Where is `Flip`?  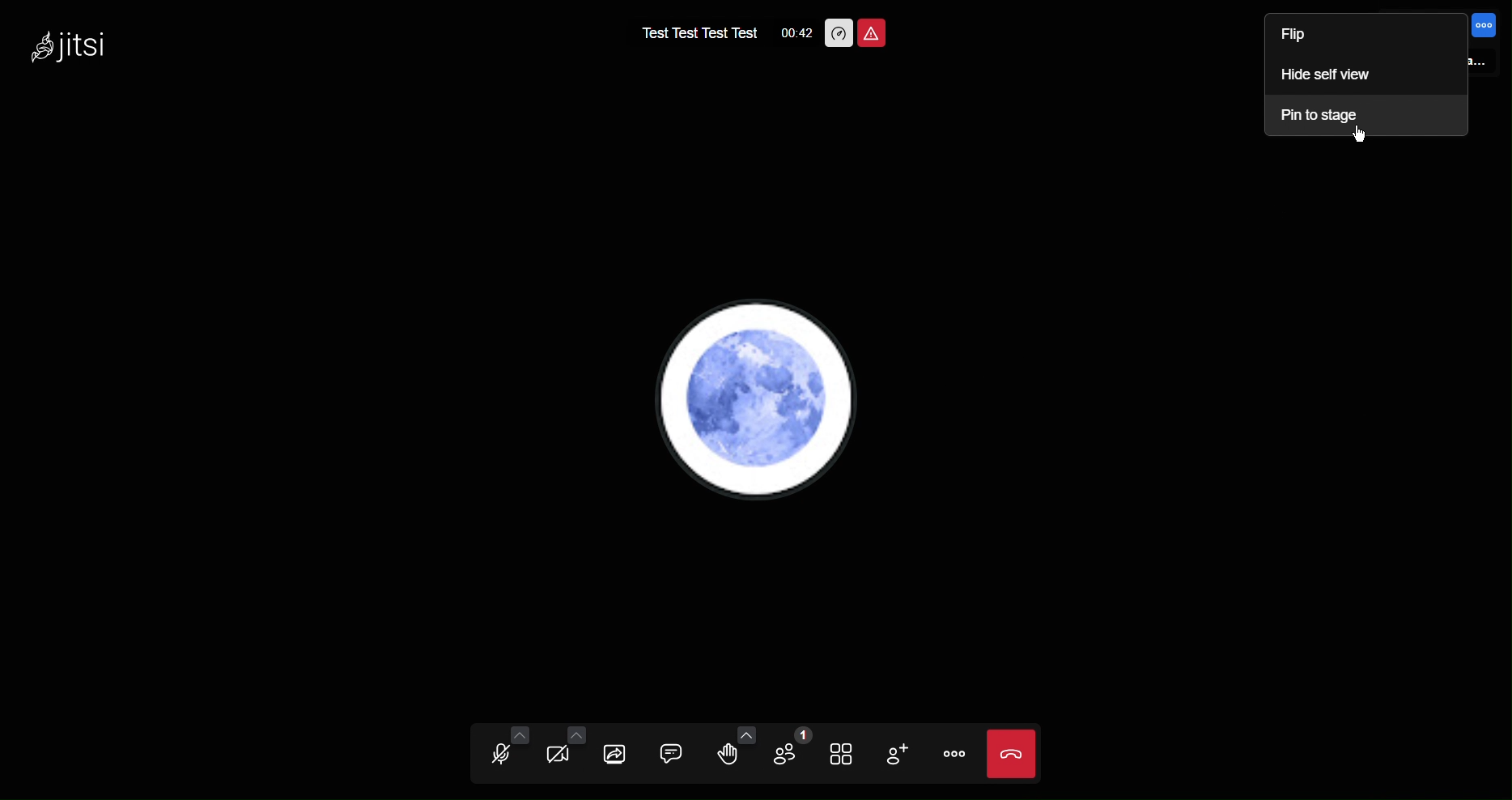 Flip is located at coordinates (1311, 37).